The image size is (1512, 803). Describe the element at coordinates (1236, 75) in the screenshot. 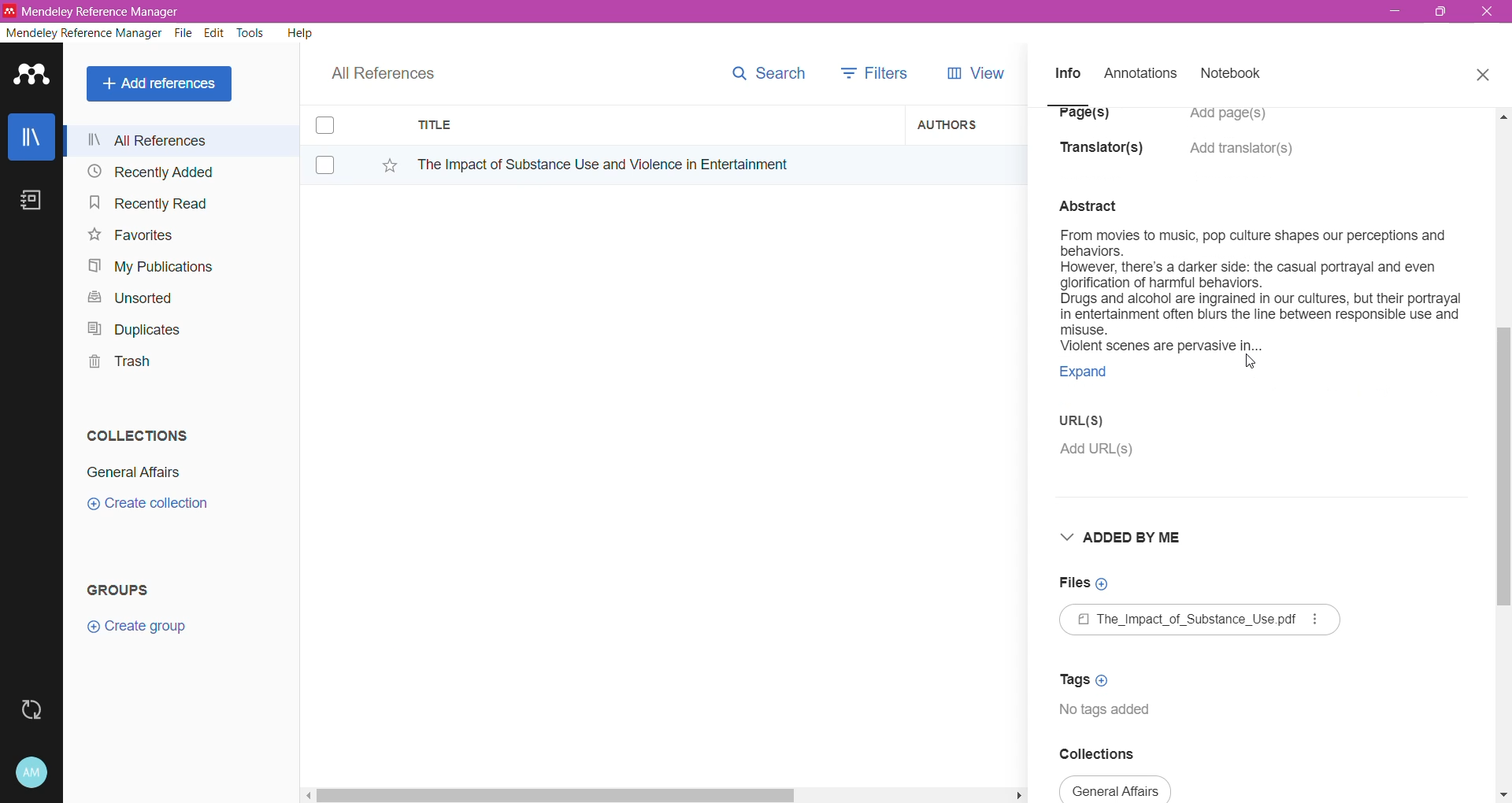

I see `Notebook` at that location.